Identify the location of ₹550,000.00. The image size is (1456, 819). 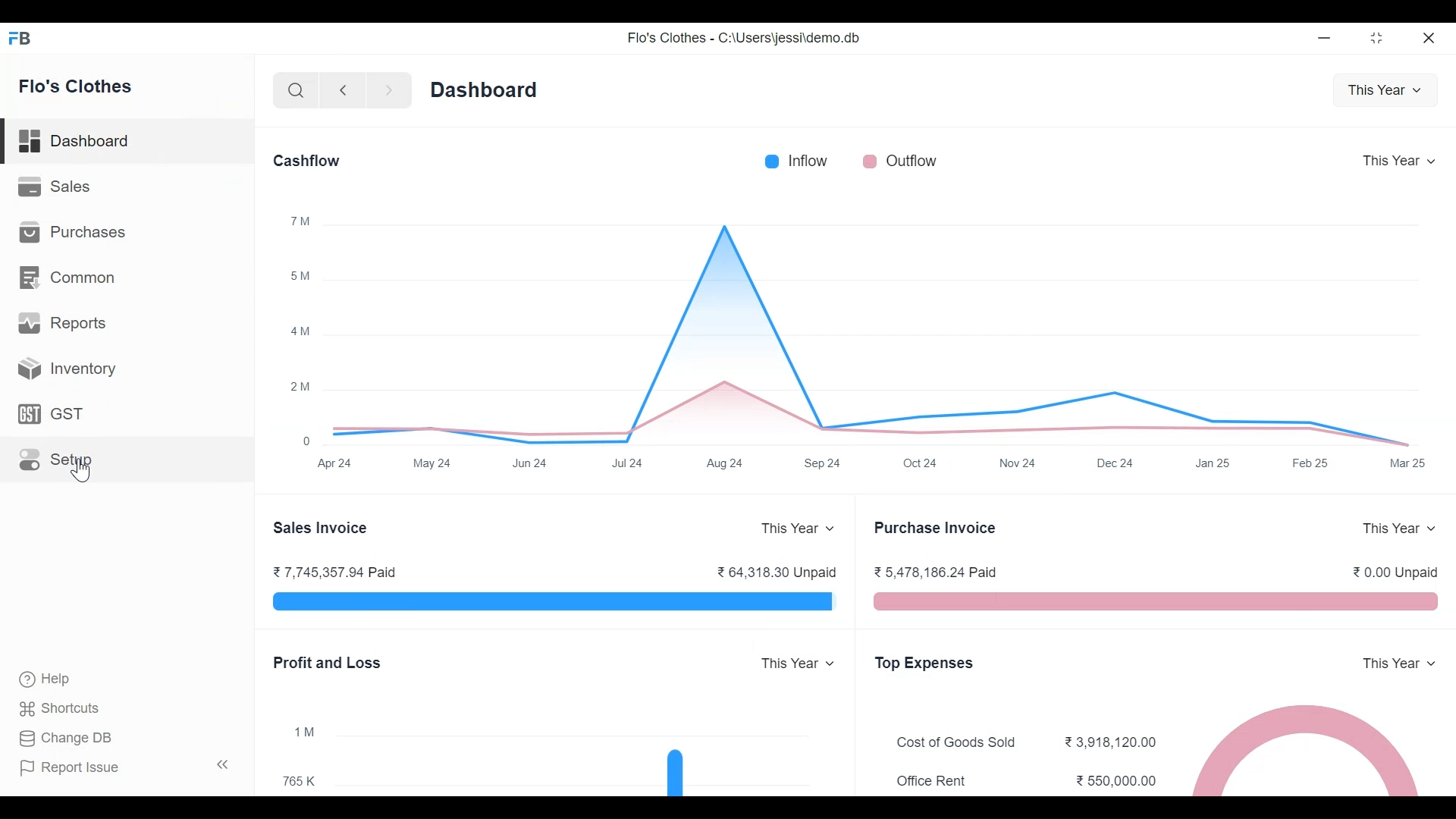
(1110, 780).